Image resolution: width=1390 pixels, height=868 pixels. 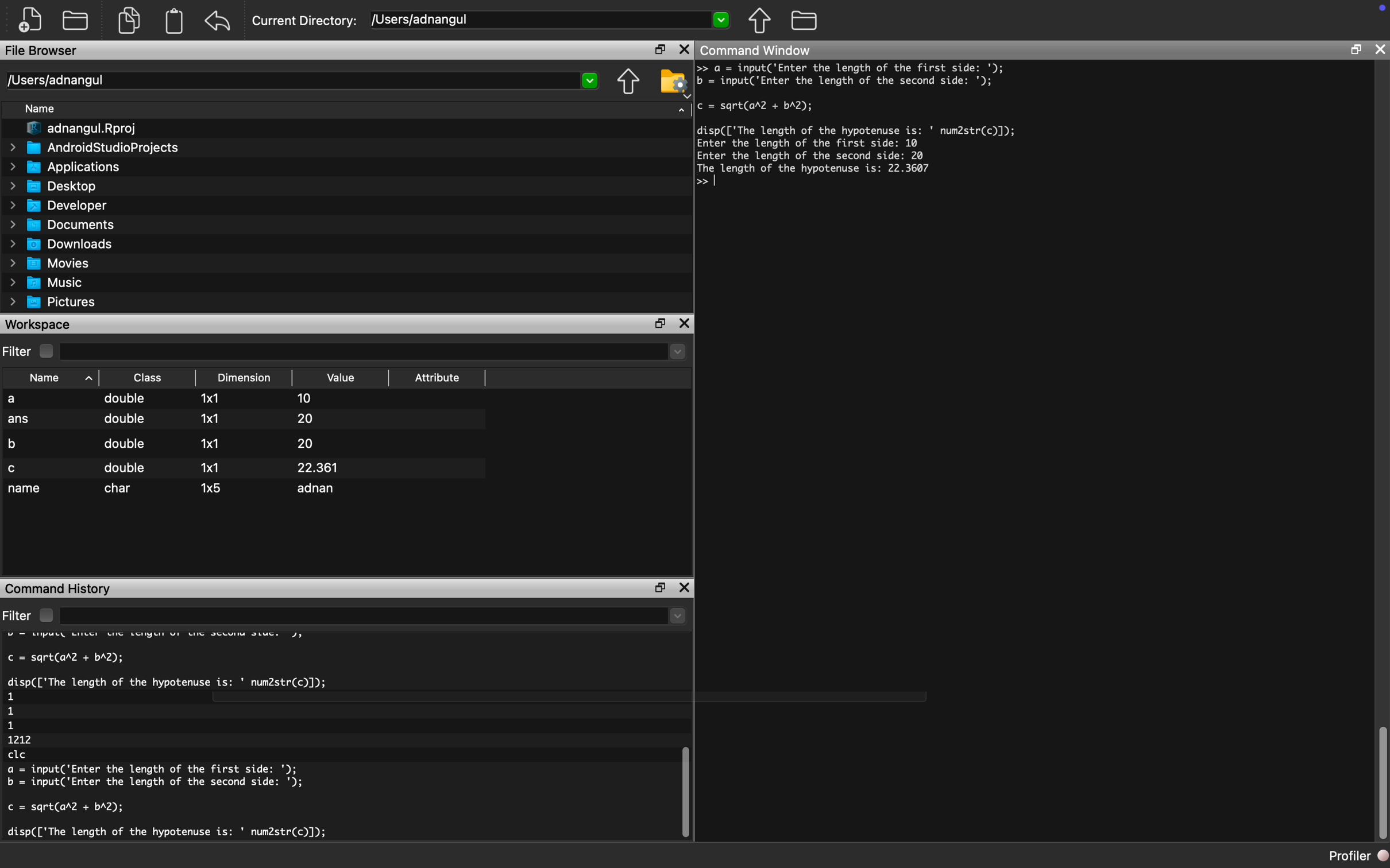 I want to click on  Downloads, so click(x=67, y=243).